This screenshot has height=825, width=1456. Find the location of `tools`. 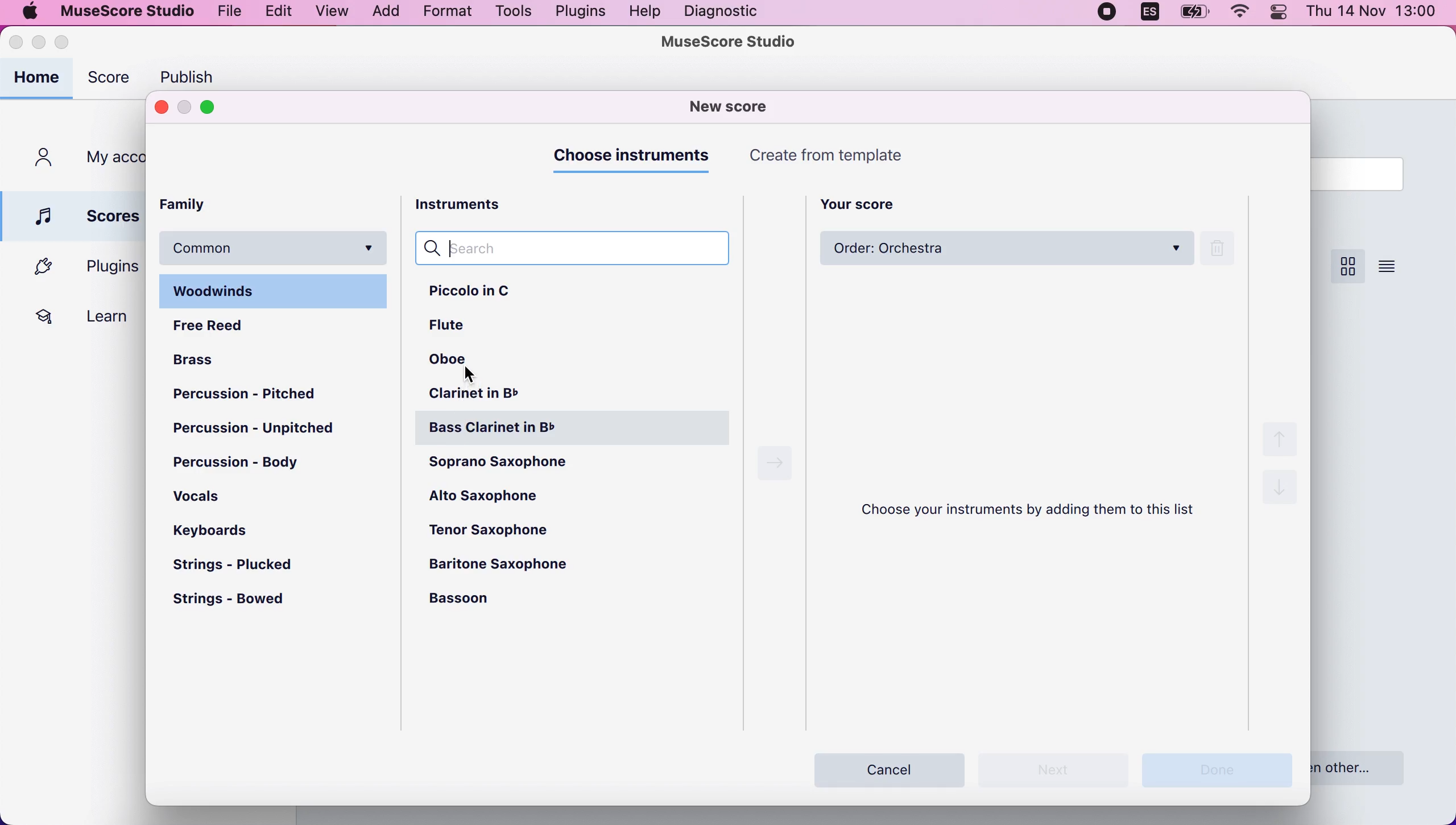

tools is located at coordinates (515, 13).